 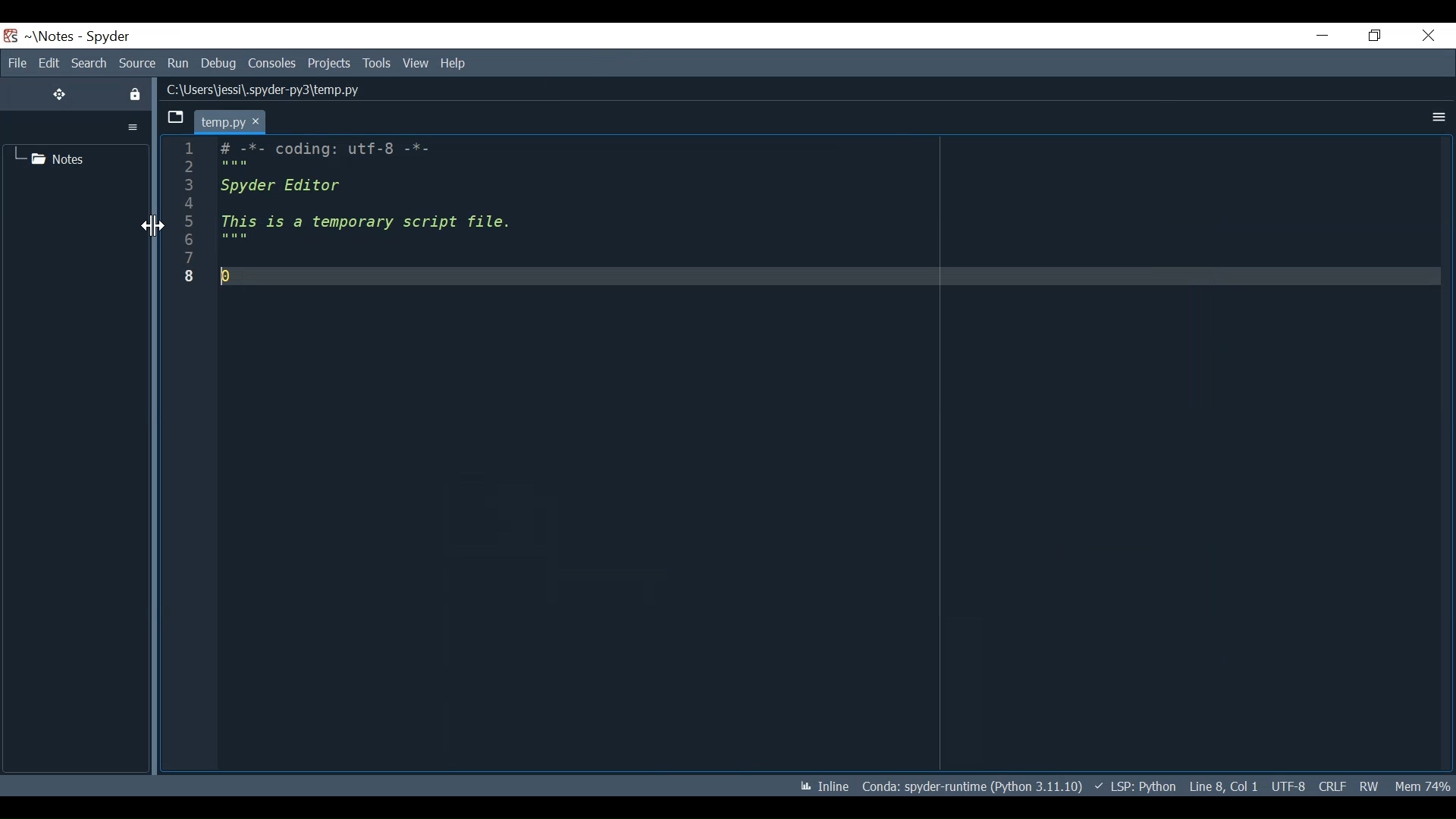 I want to click on Move, so click(x=60, y=95).